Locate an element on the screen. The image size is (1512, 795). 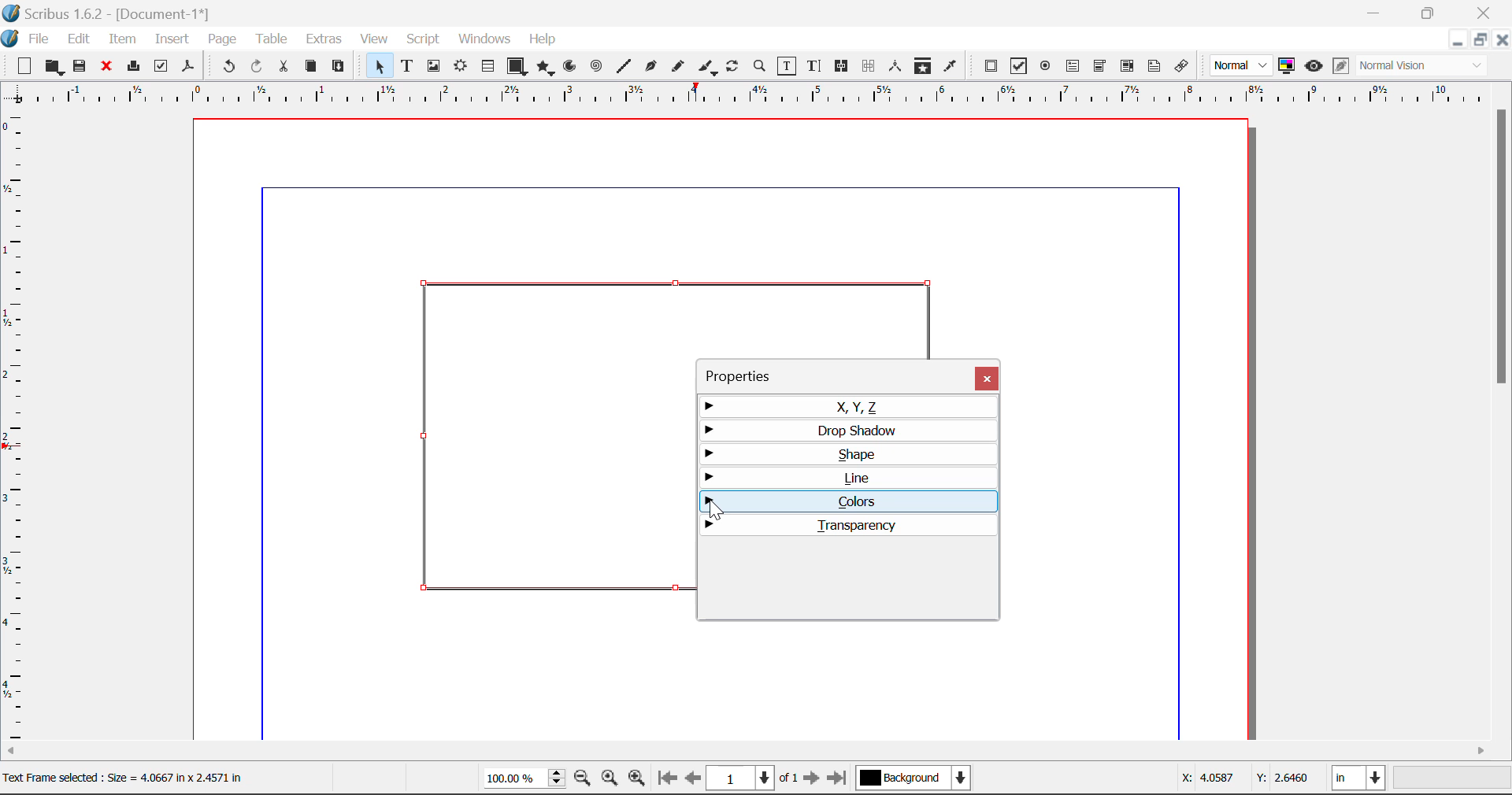
Help is located at coordinates (543, 39).